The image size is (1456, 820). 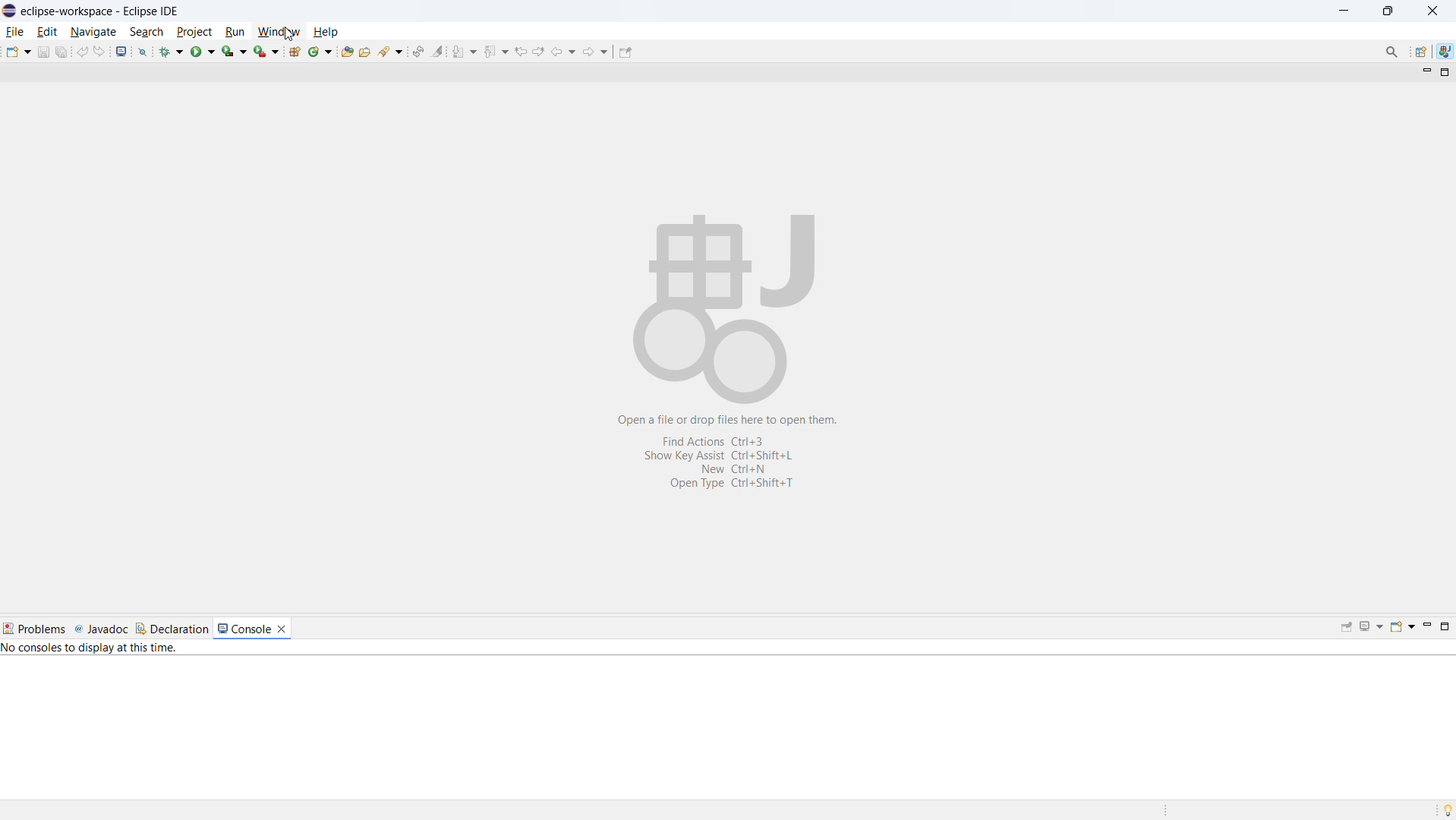 I want to click on pin console, so click(x=1347, y=627).